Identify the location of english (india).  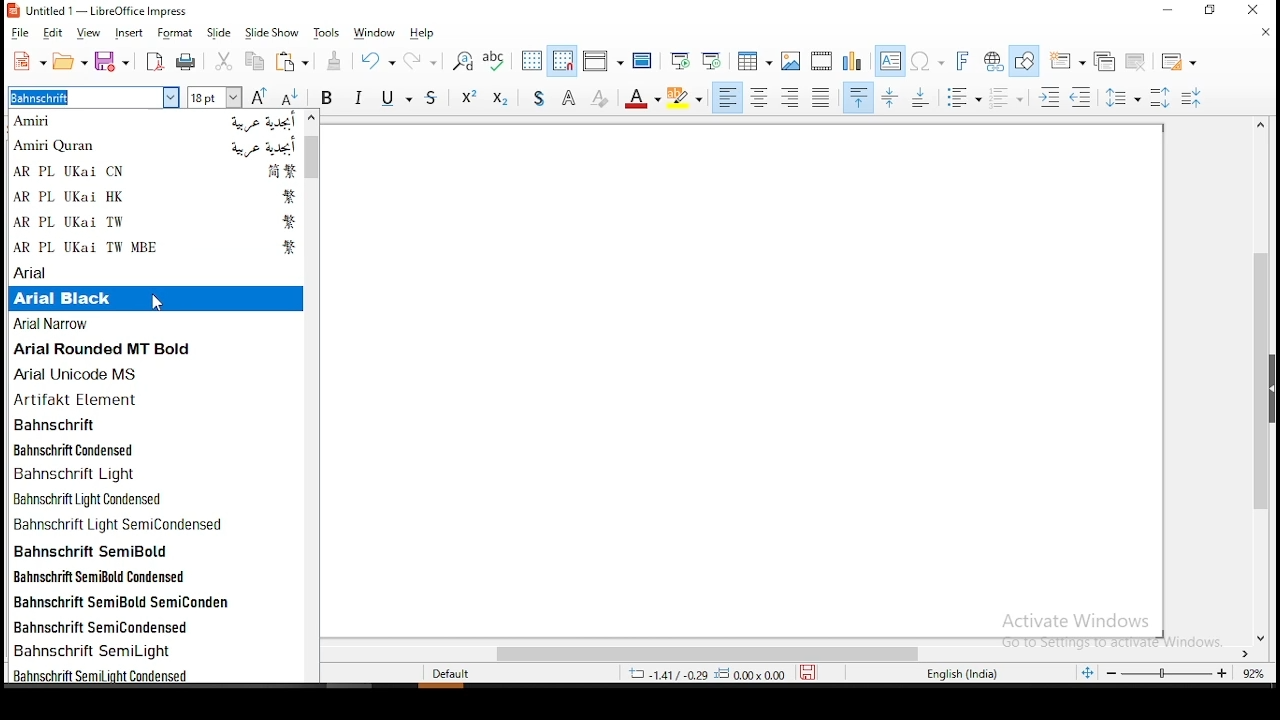
(962, 675).